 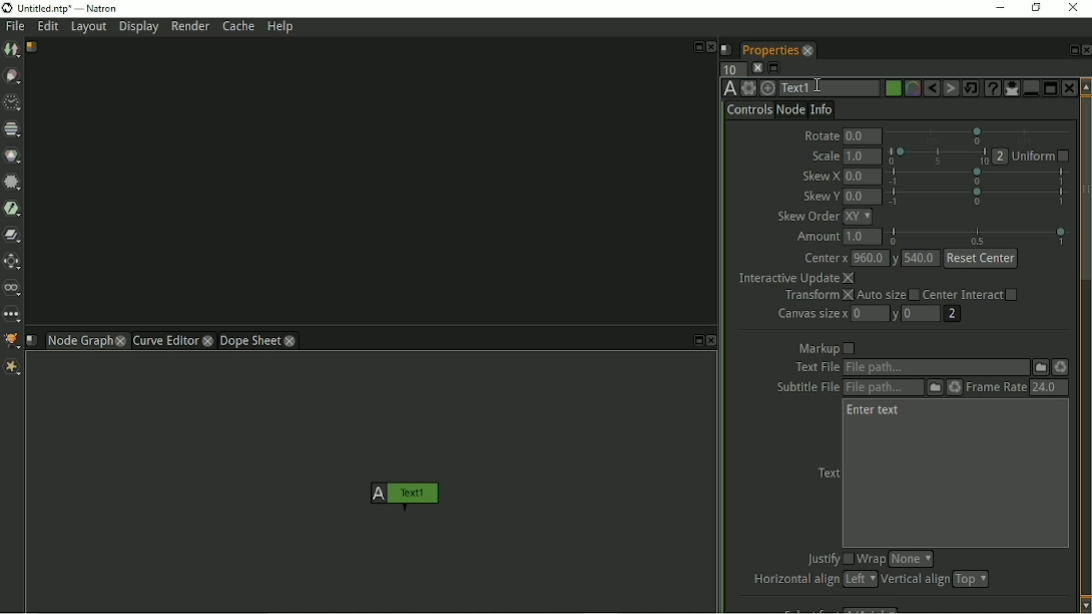 I want to click on none, so click(x=911, y=559).